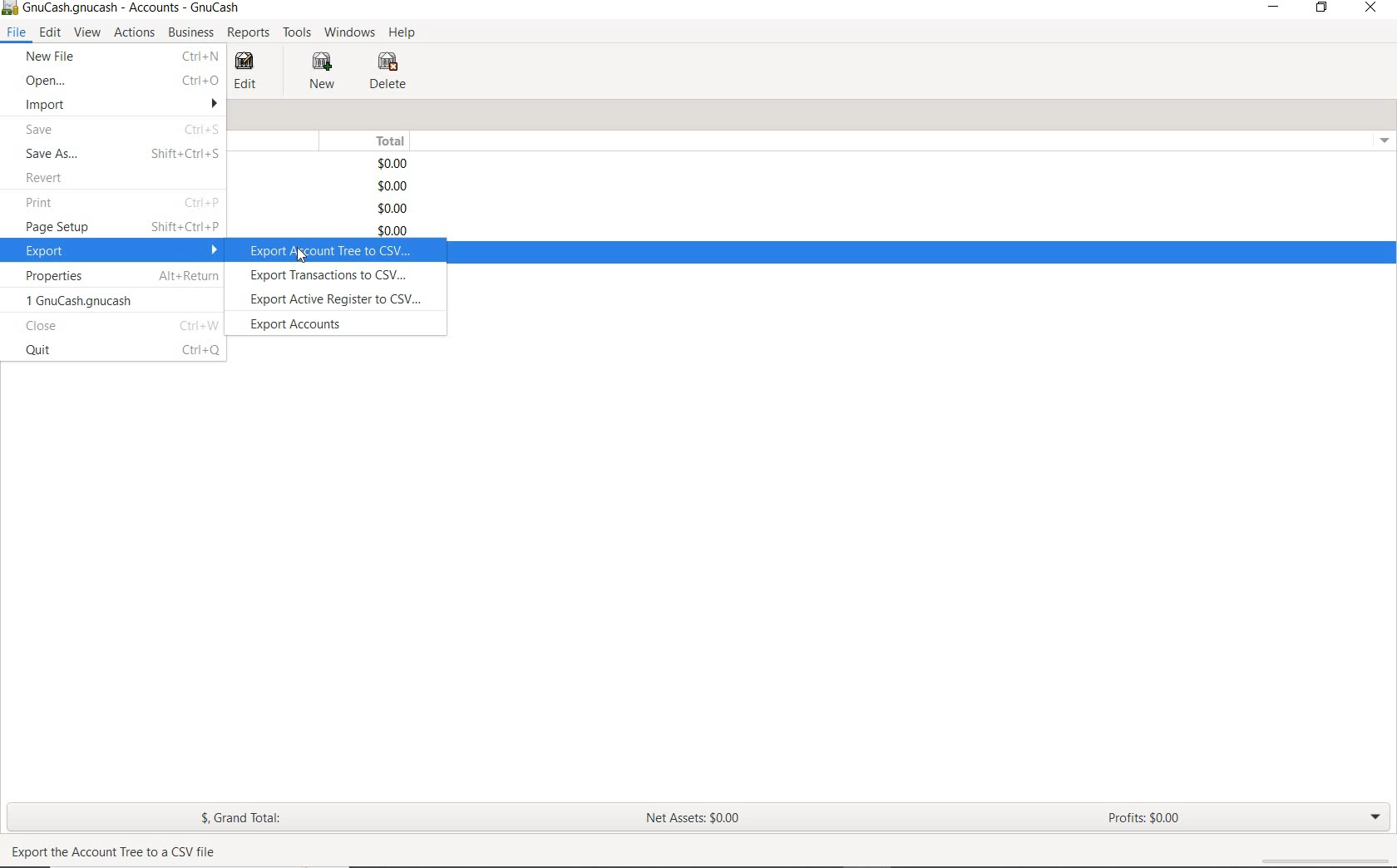 The width and height of the screenshot is (1397, 868). What do you see at coordinates (215, 104) in the screenshot?
I see `drop down` at bounding box center [215, 104].